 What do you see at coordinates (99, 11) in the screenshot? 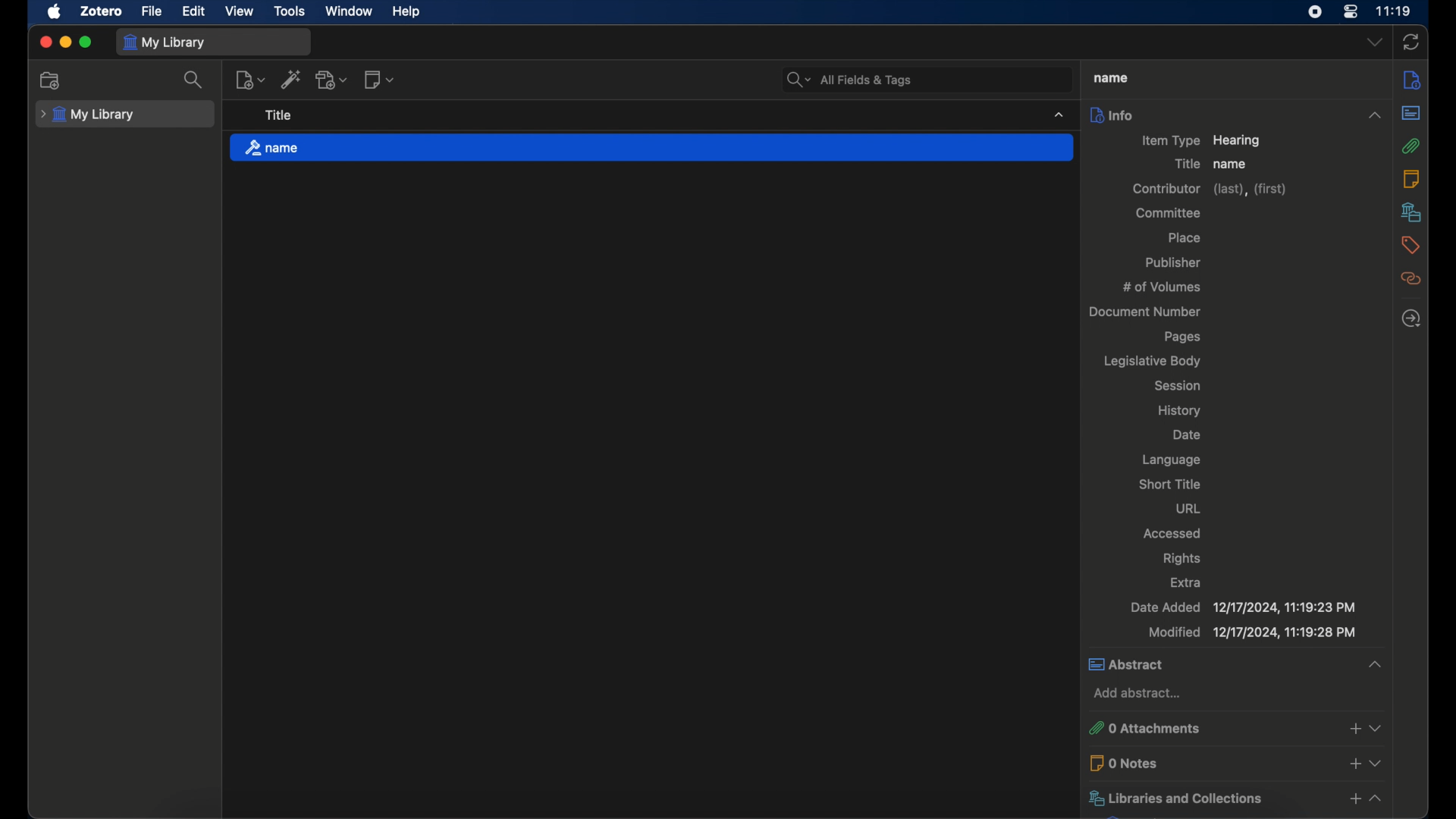
I see `zotero` at bounding box center [99, 11].